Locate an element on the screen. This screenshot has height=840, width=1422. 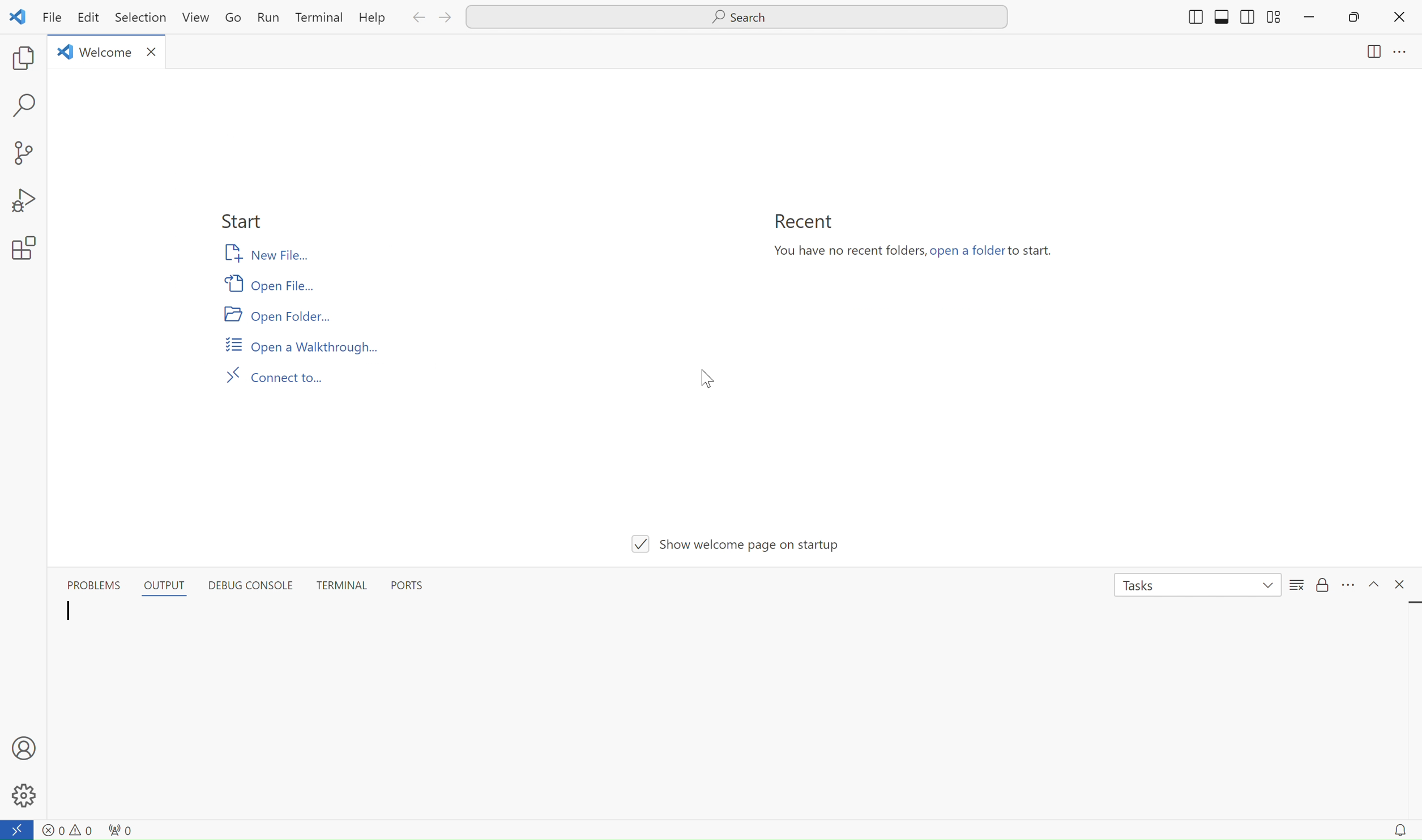
Open Folder is located at coordinates (284, 316).